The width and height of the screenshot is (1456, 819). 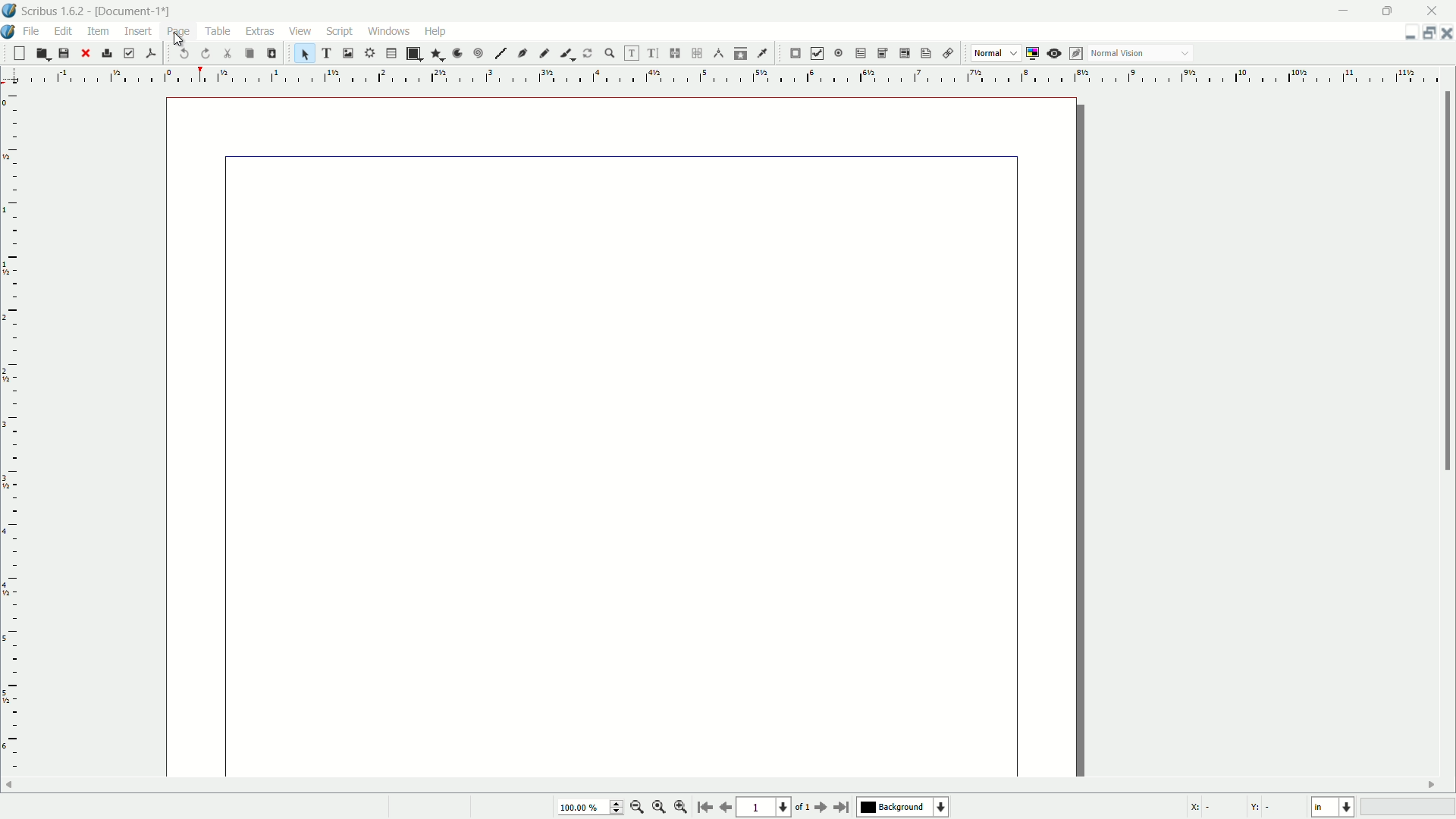 What do you see at coordinates (11, 445) in the screenshot?
I see `measuring scale` at bounding box center [11, 445].